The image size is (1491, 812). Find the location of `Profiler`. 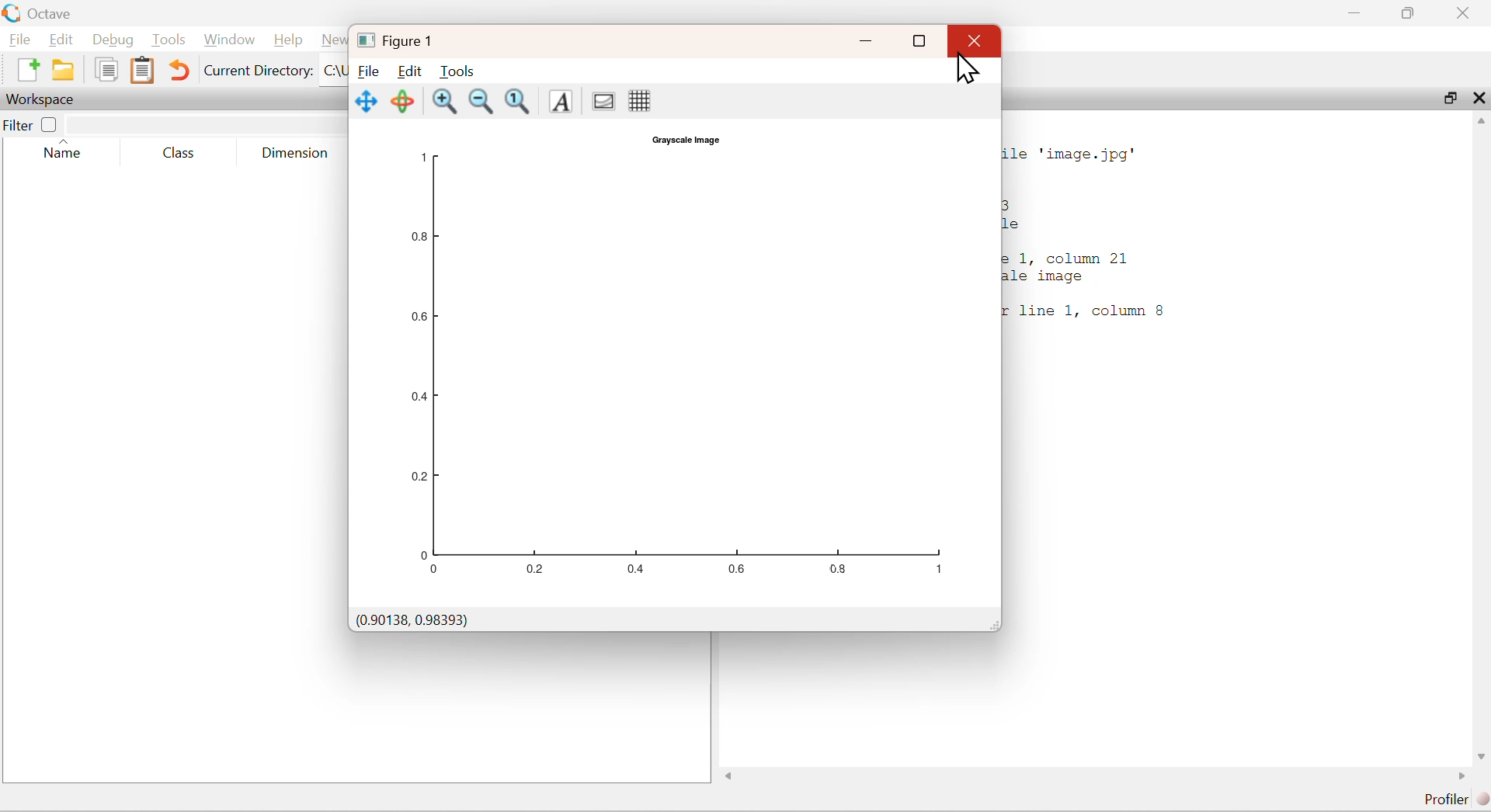

Profiler is located at coordinates (1452, 800).